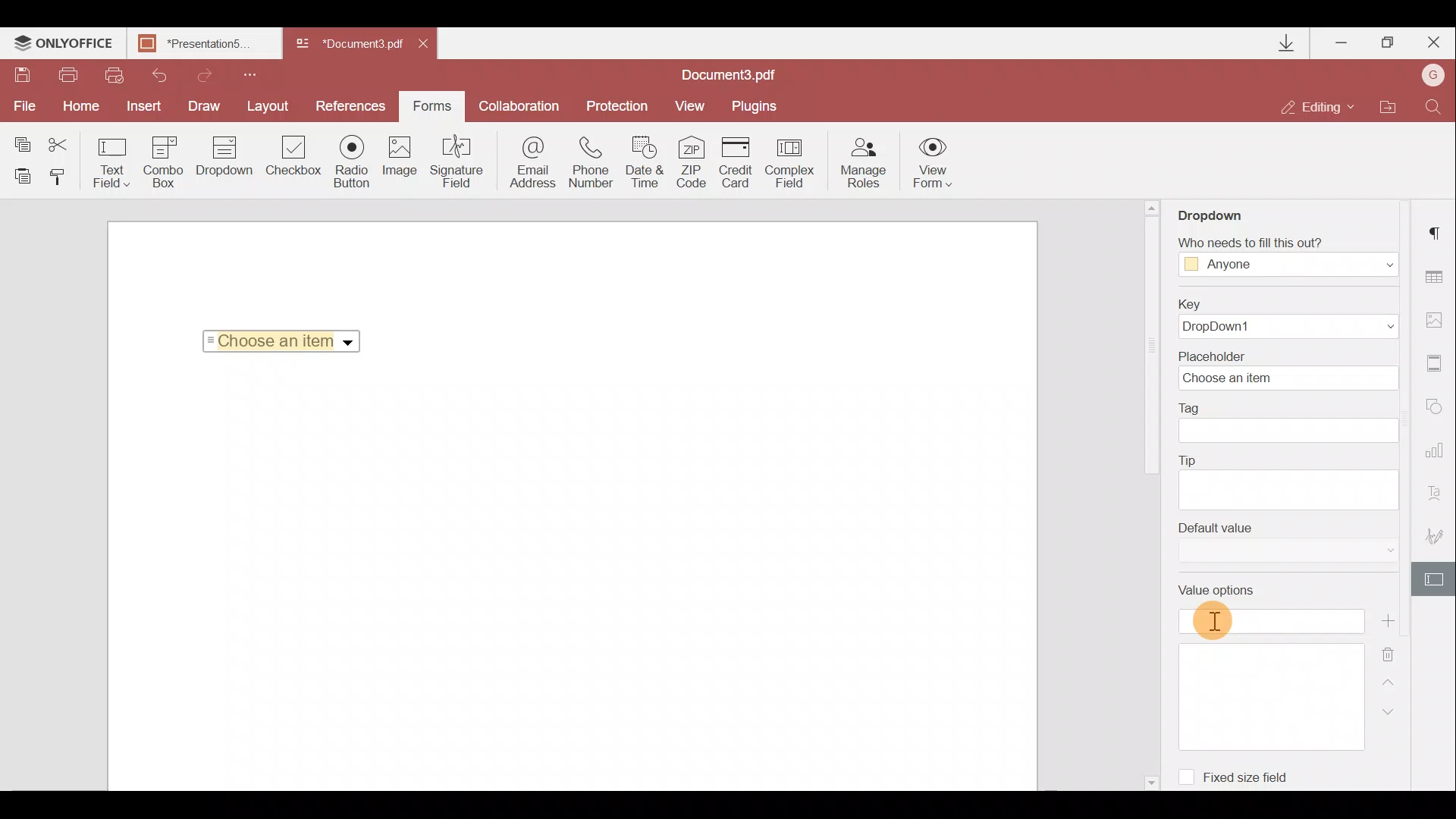  What do you see at coordinates (1224, 210) in the screenshot?
I see `Dropdown` at bounding box center [1224, 210].